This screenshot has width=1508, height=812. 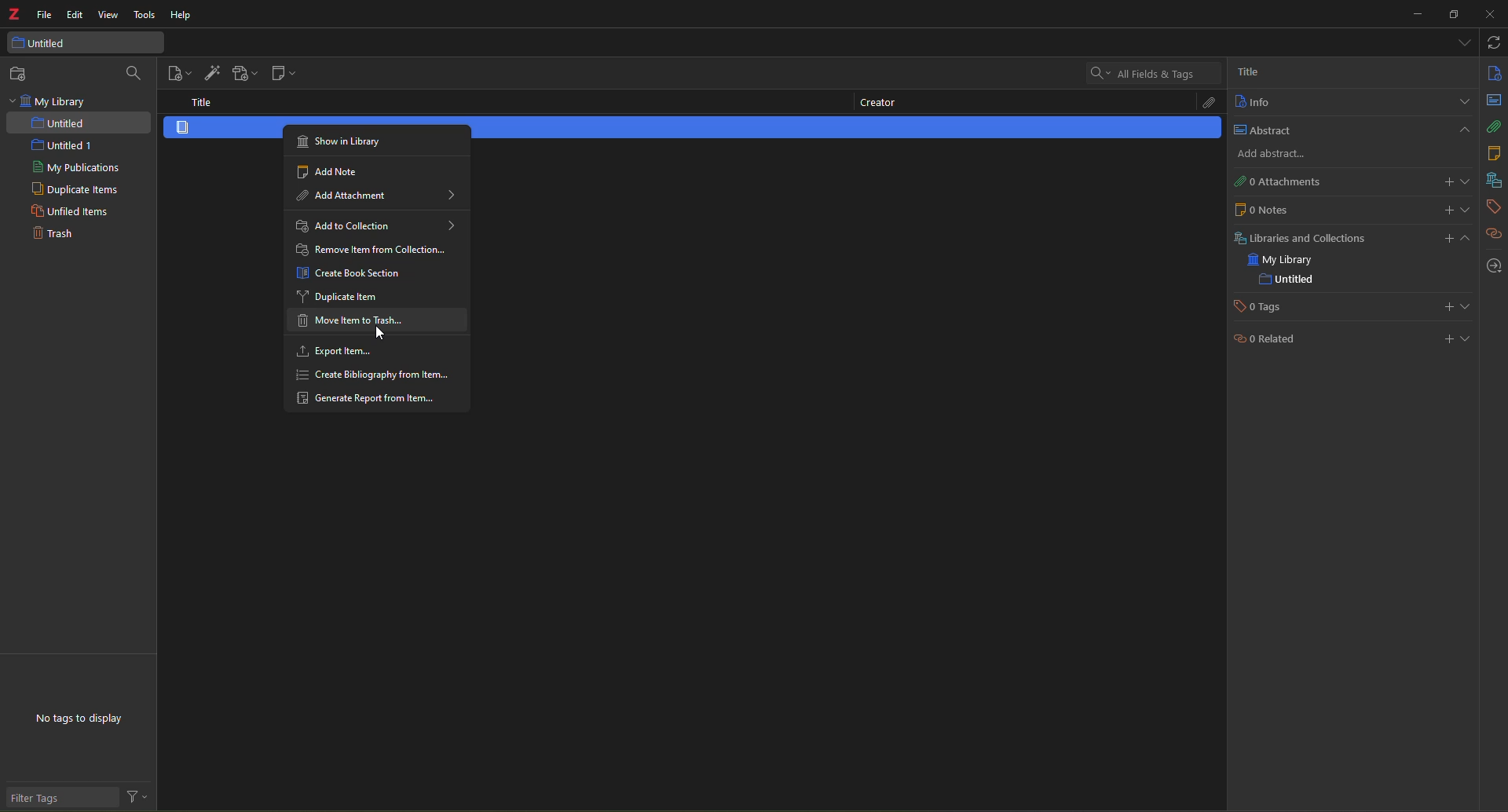 I want to click on file, so click(x=45, y=16).